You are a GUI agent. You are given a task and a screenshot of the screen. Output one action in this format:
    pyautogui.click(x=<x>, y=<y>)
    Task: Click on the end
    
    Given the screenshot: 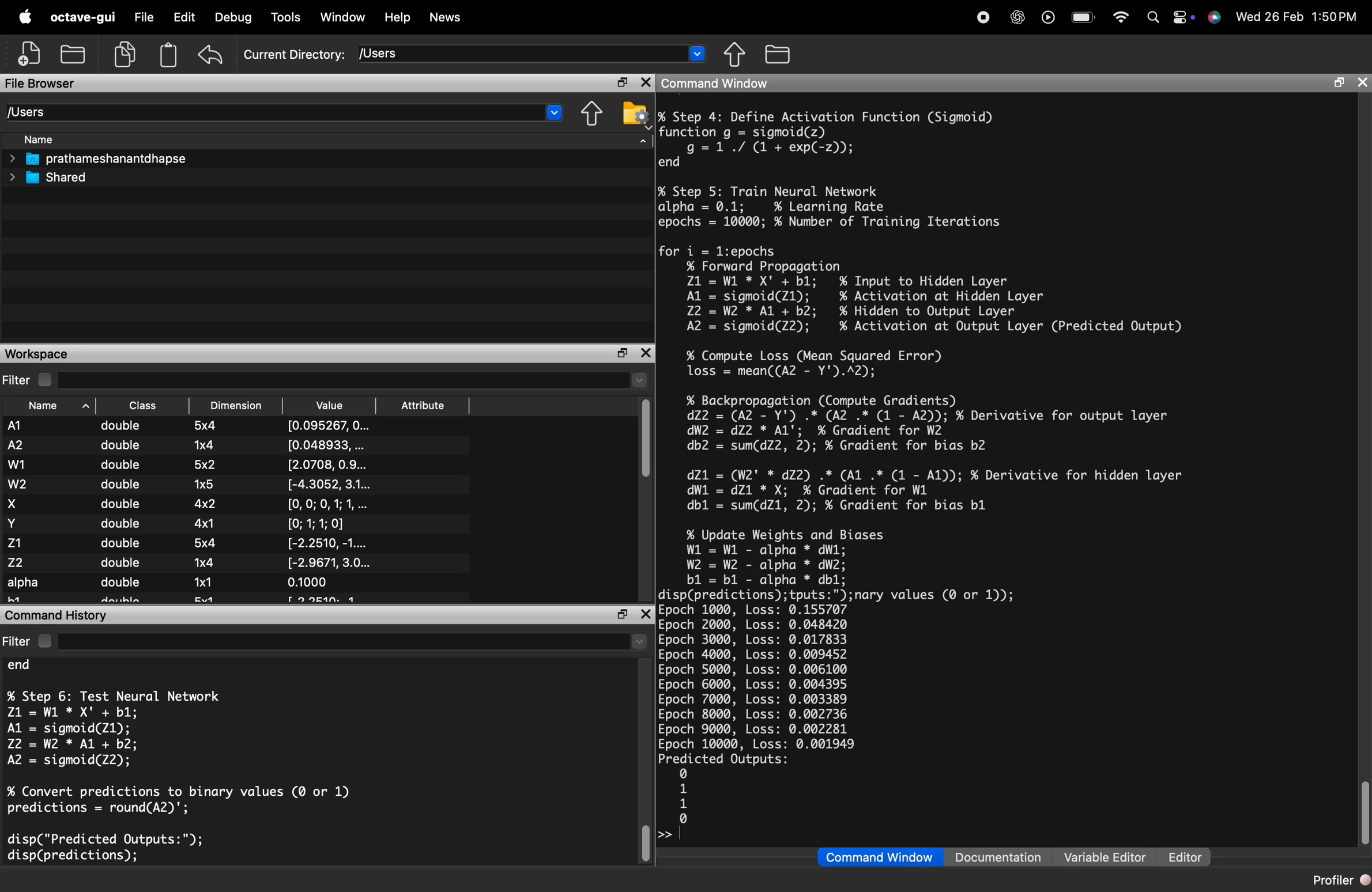 What is the action you would take?
    pyautogui.click(x=29, y=667)
    